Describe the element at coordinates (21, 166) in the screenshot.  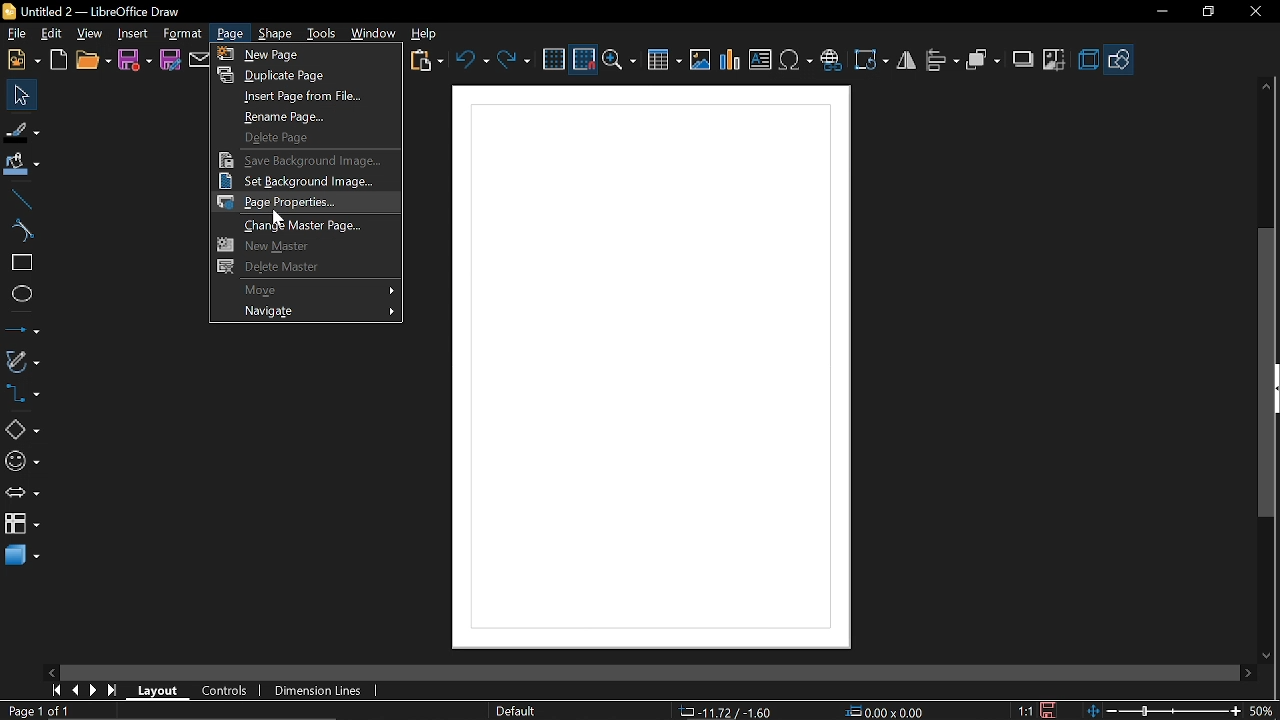
I see `Fill color` at that location.